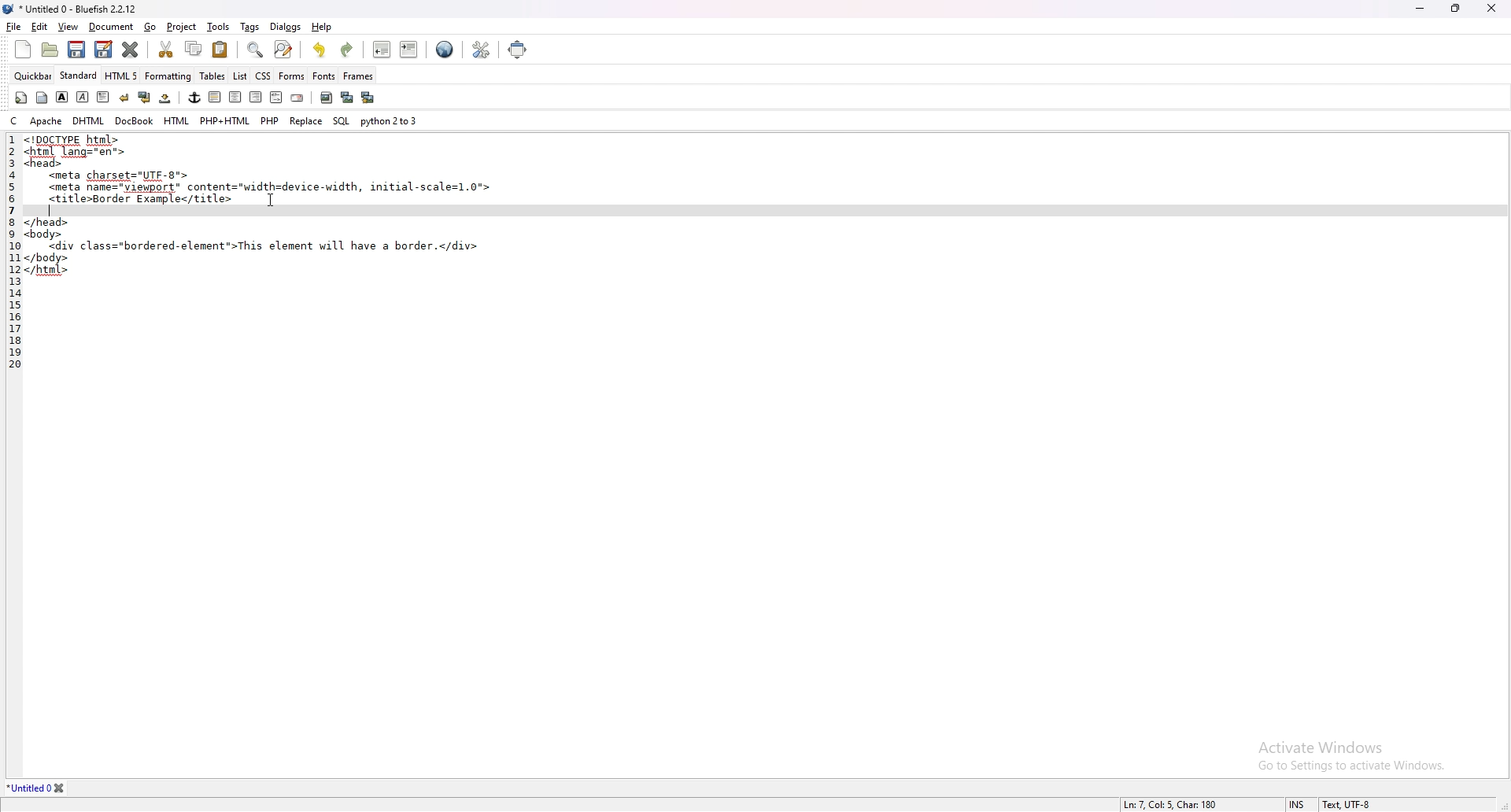 The image size is (1511, 812). Describe the element at coordinates (381, 49) in the screenshot. I see `unindent` at that location.